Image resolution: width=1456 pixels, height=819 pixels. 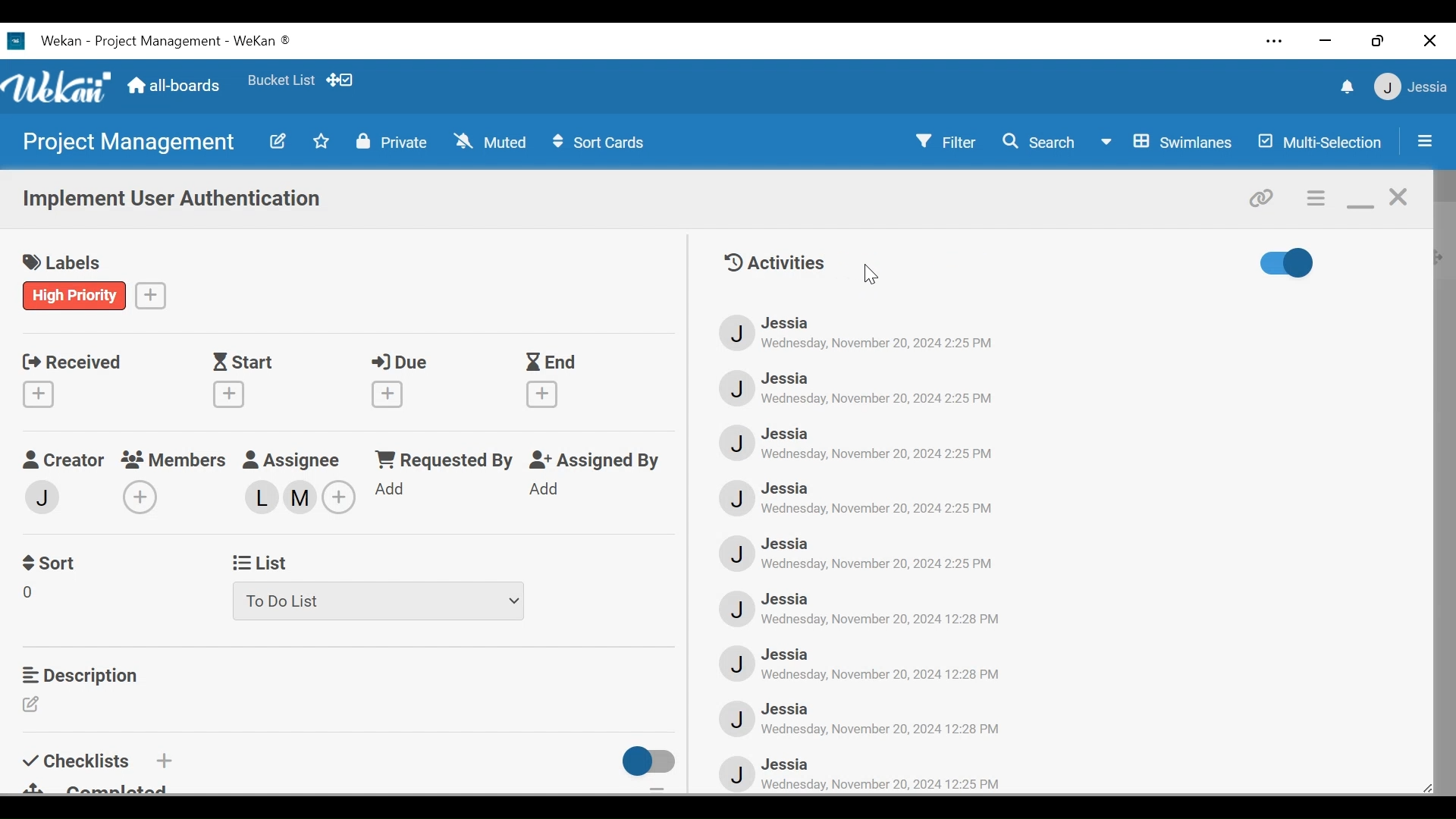 What do you see at coordinates (734, 388) in the screenshot?
I see `Avatar` at bounding box center [734, 388].